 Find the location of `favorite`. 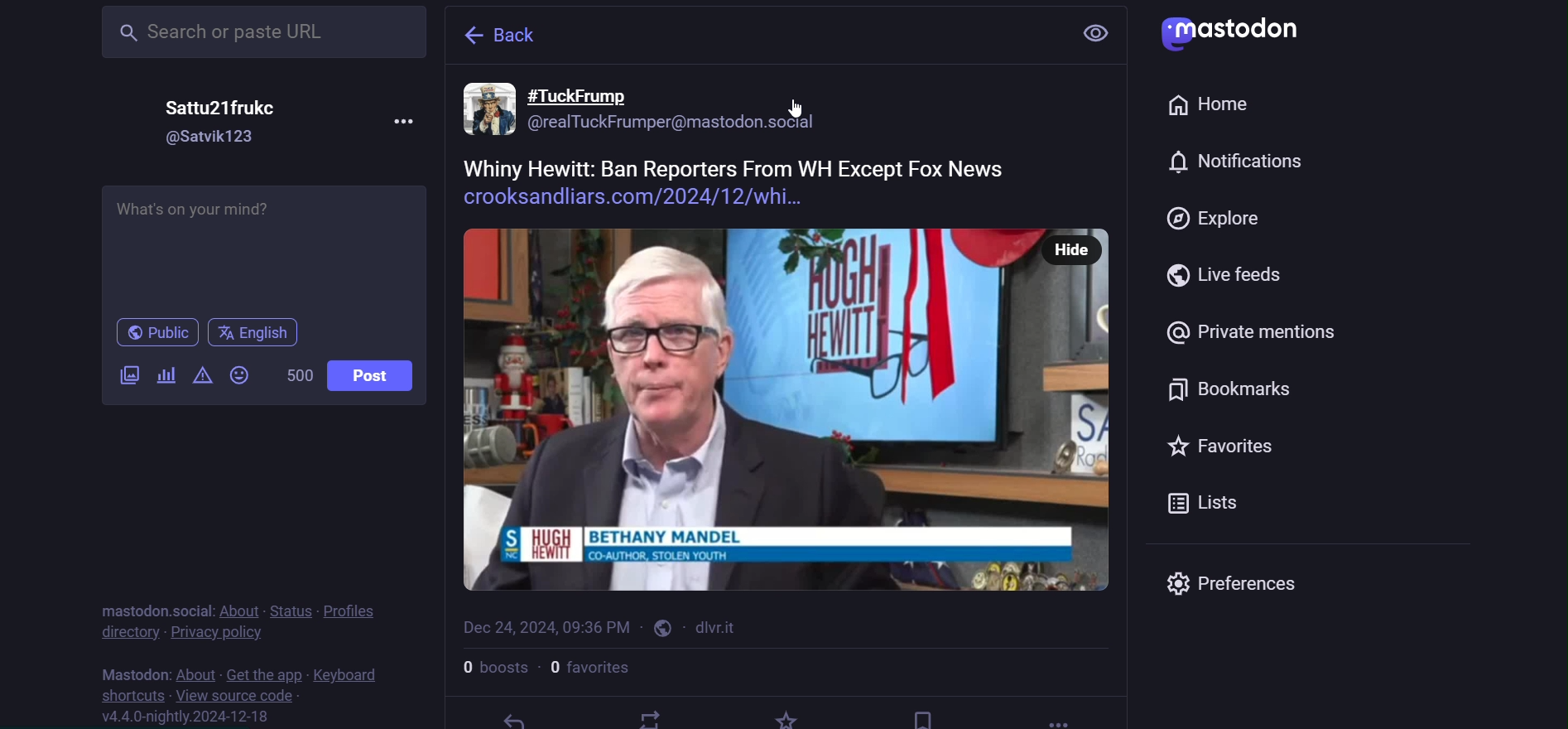

favorite is located at coordinates (788, 718).